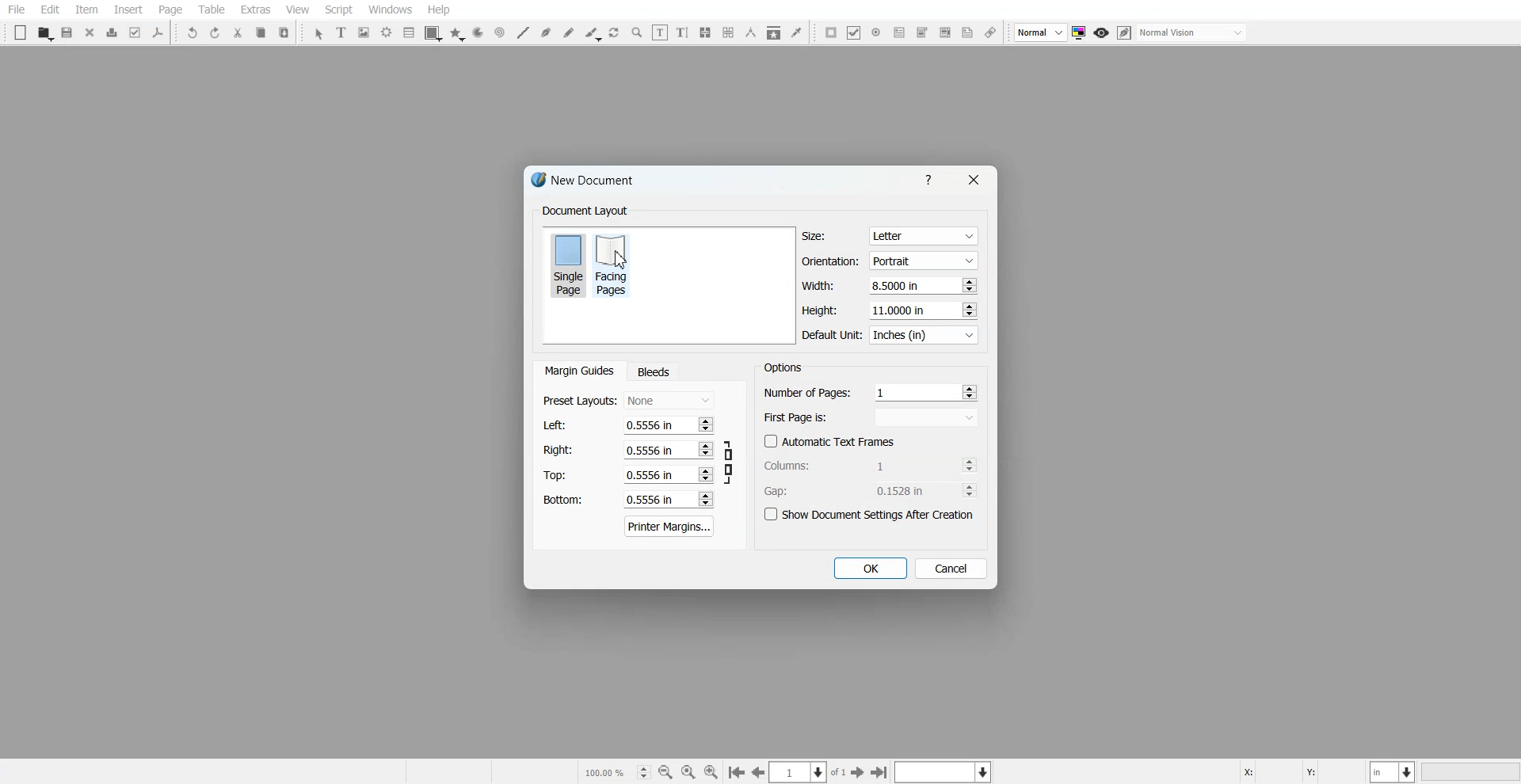  What do you see at coordinates (665, 772) in the screenshot?
I see `Zoom Out` at bounding box center [665, 772].